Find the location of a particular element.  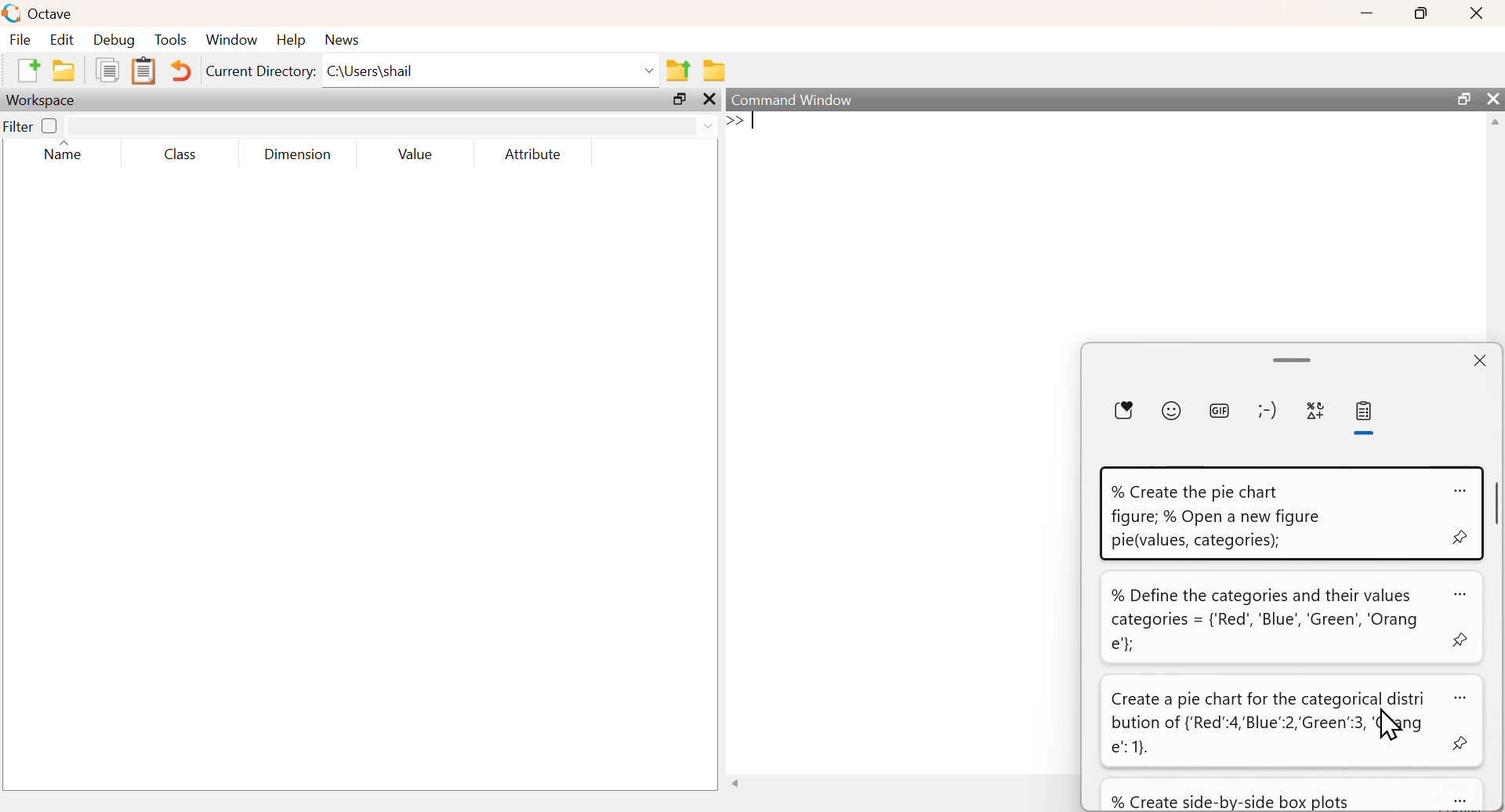

Edit is located at coordinates (61, 40).